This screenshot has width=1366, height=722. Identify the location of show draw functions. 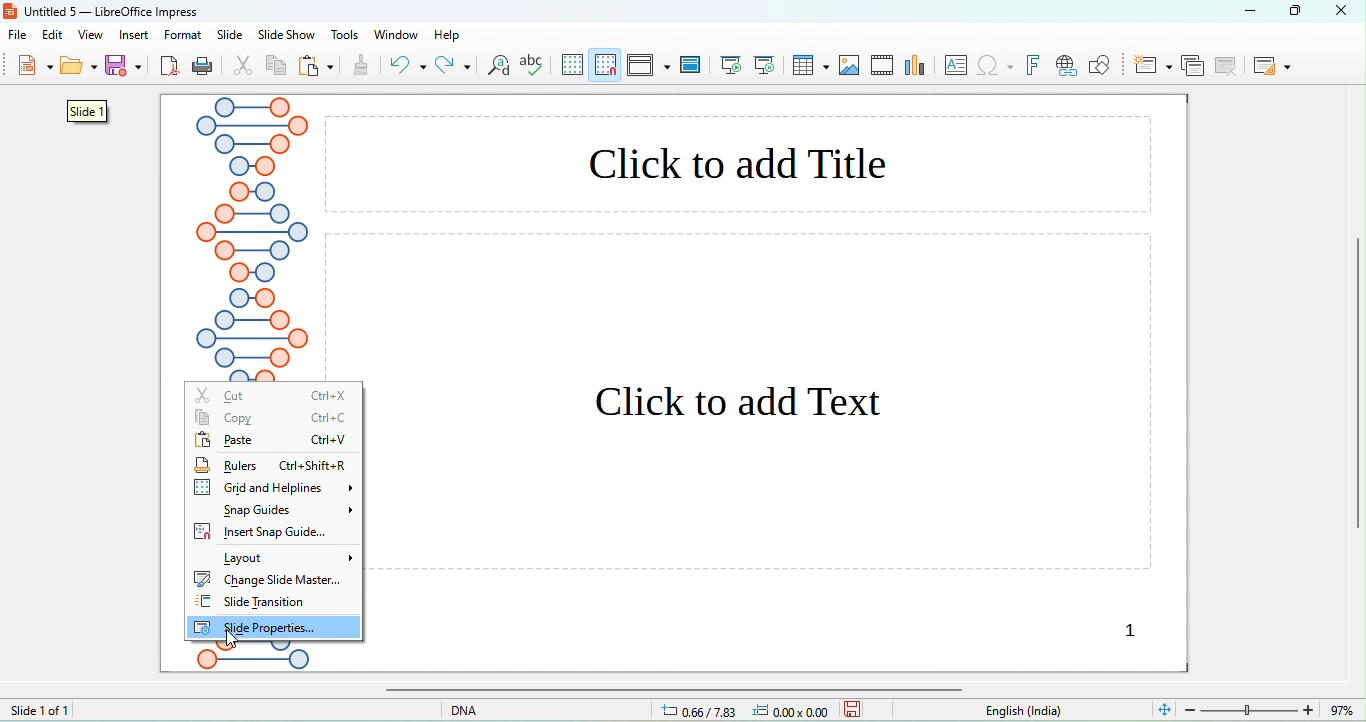
(1099, 65).